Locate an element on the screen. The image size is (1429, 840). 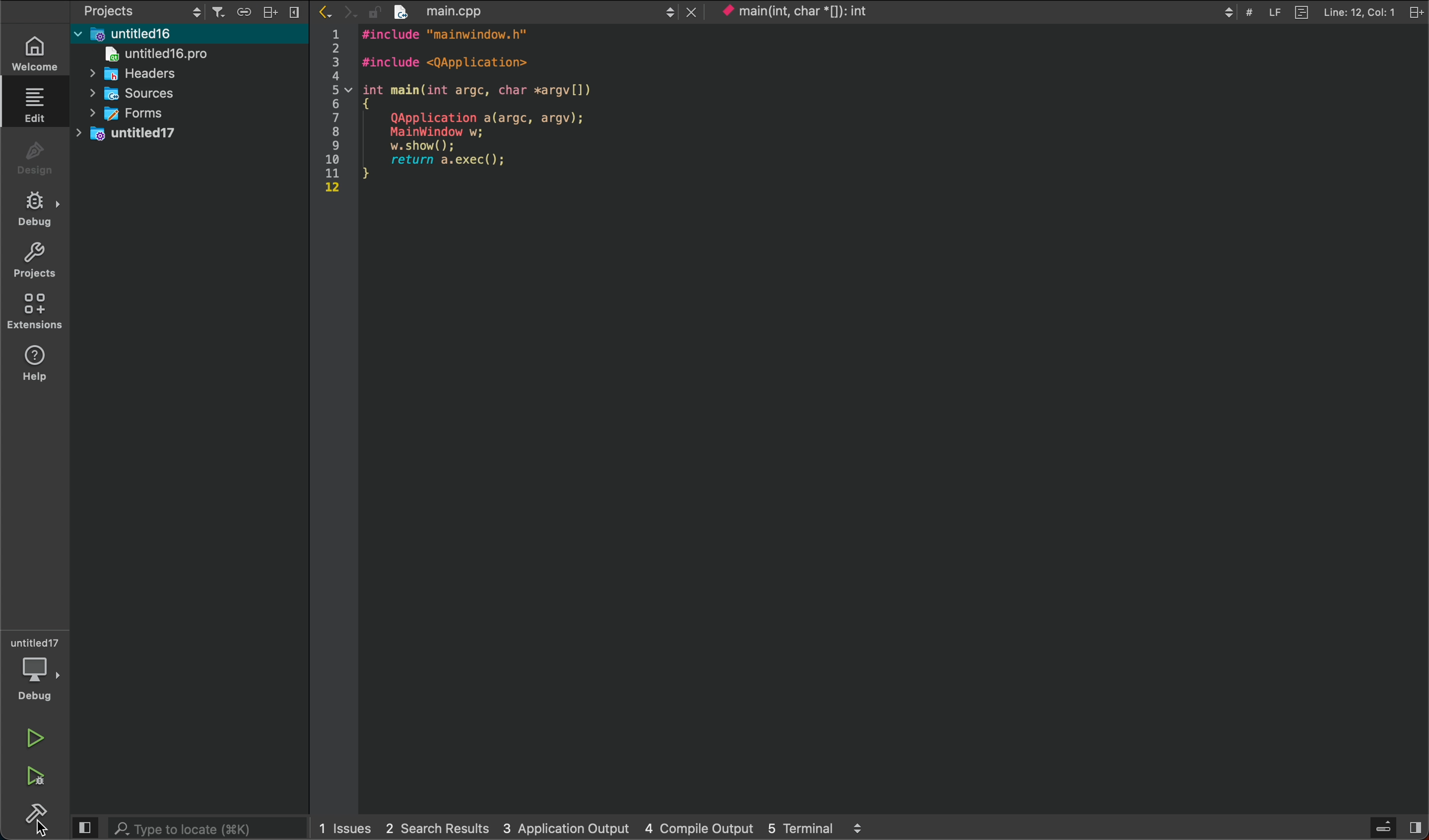
menu is located at coordinates (1384, 829).